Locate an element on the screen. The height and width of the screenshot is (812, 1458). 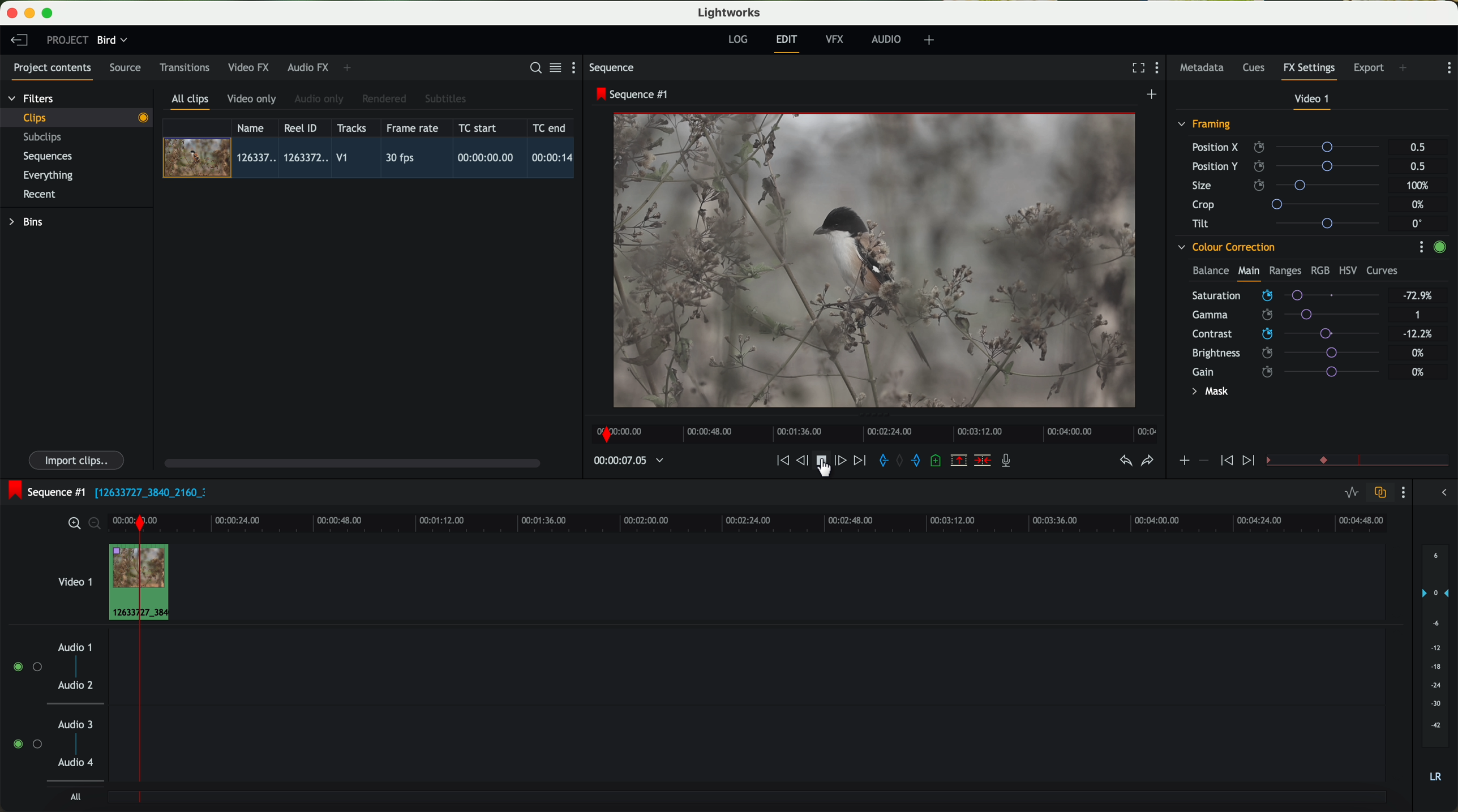
Reel ID is located at coordinates (303, 127).